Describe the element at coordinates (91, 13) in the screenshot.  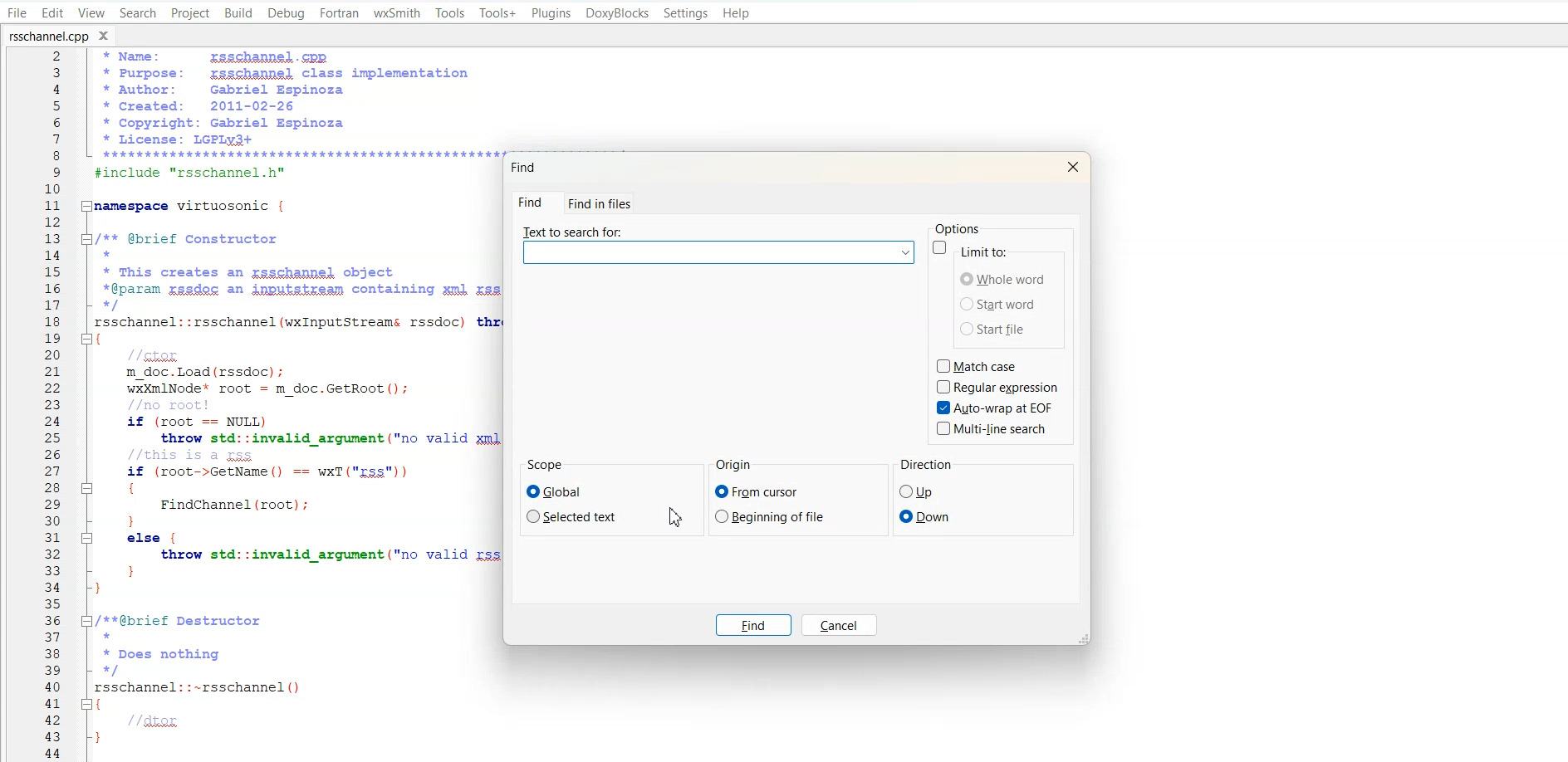
I see `View` at that location.